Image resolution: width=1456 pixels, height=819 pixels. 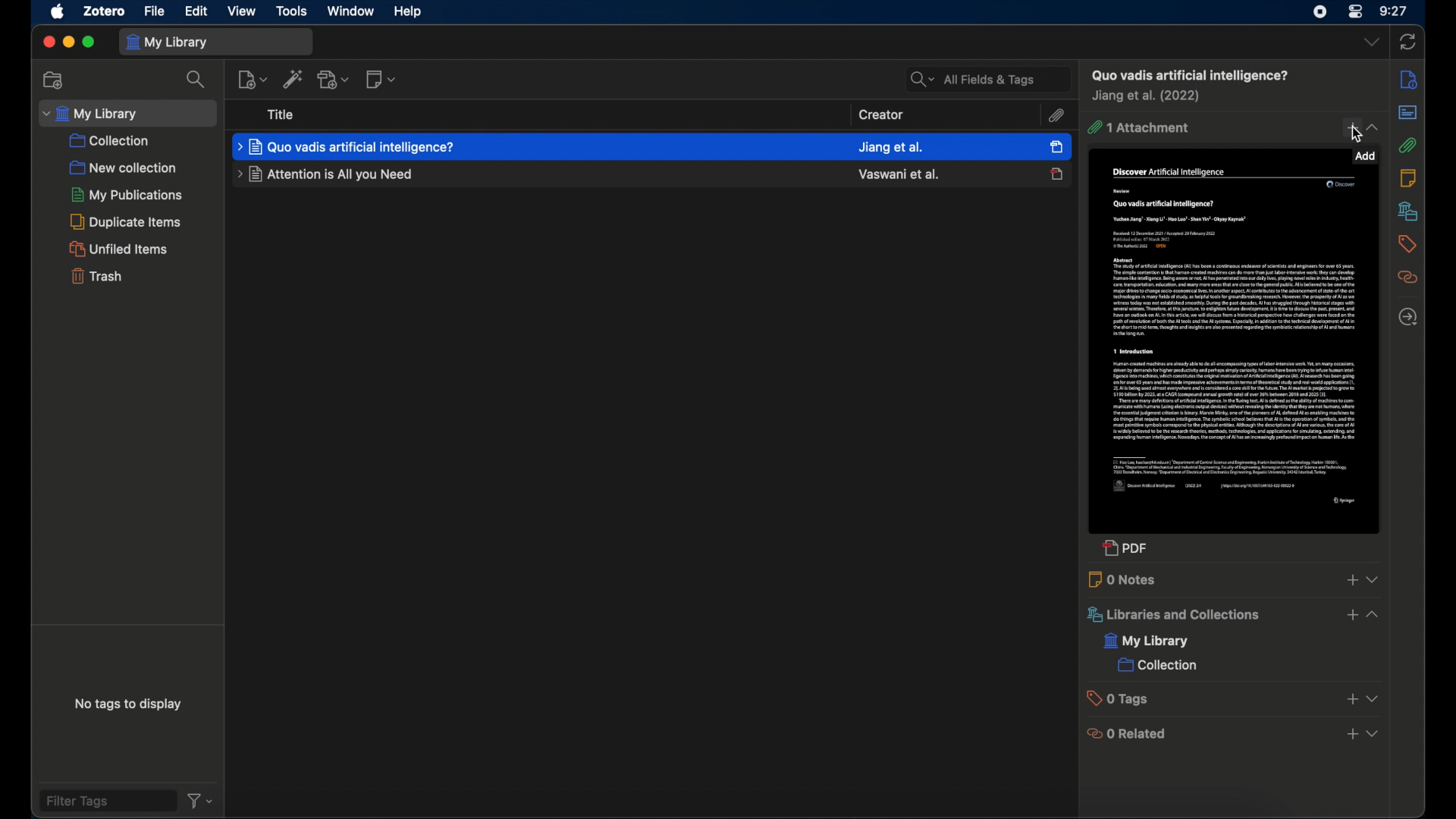 What do you see at coordinates (1407, 278) in the screenshot?
I see `related` at bounding box center [1407, 278].